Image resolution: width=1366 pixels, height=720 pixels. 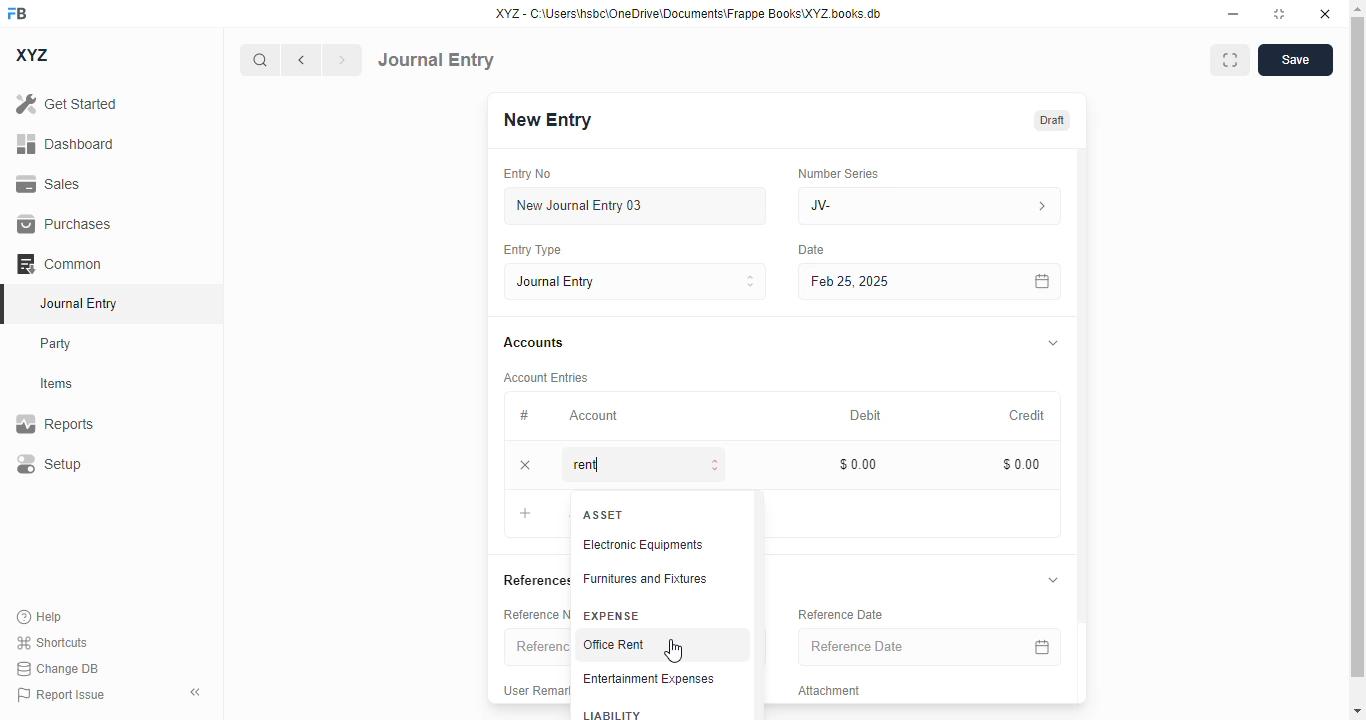 What do you see at coordinates (58, 668) in the screenshot?
I see `change DB` at bounding box center [58, 668].